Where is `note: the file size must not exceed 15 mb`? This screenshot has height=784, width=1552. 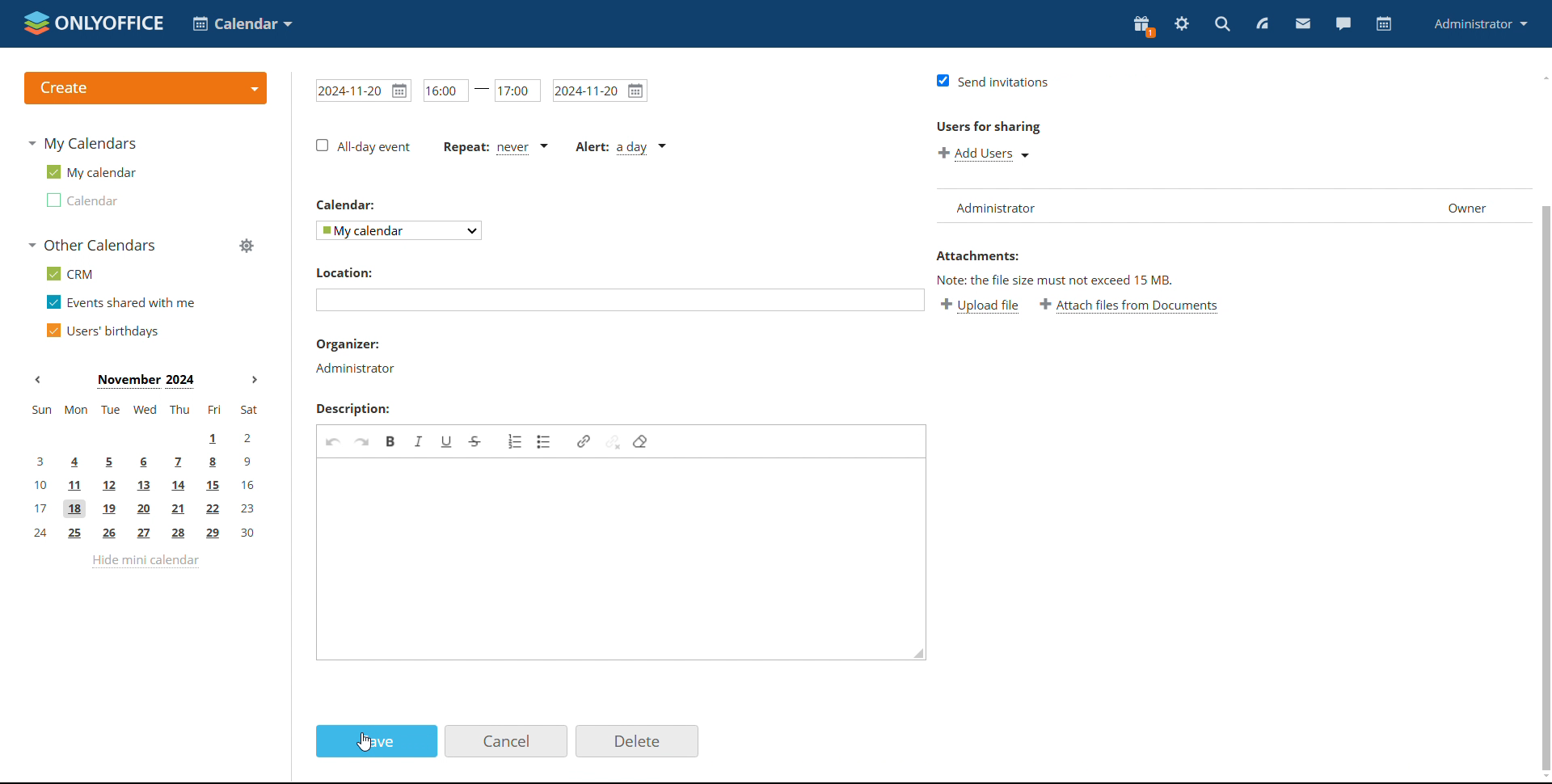 note: the file size must not exceed 15 mb is located at coordinates (1053, 280).